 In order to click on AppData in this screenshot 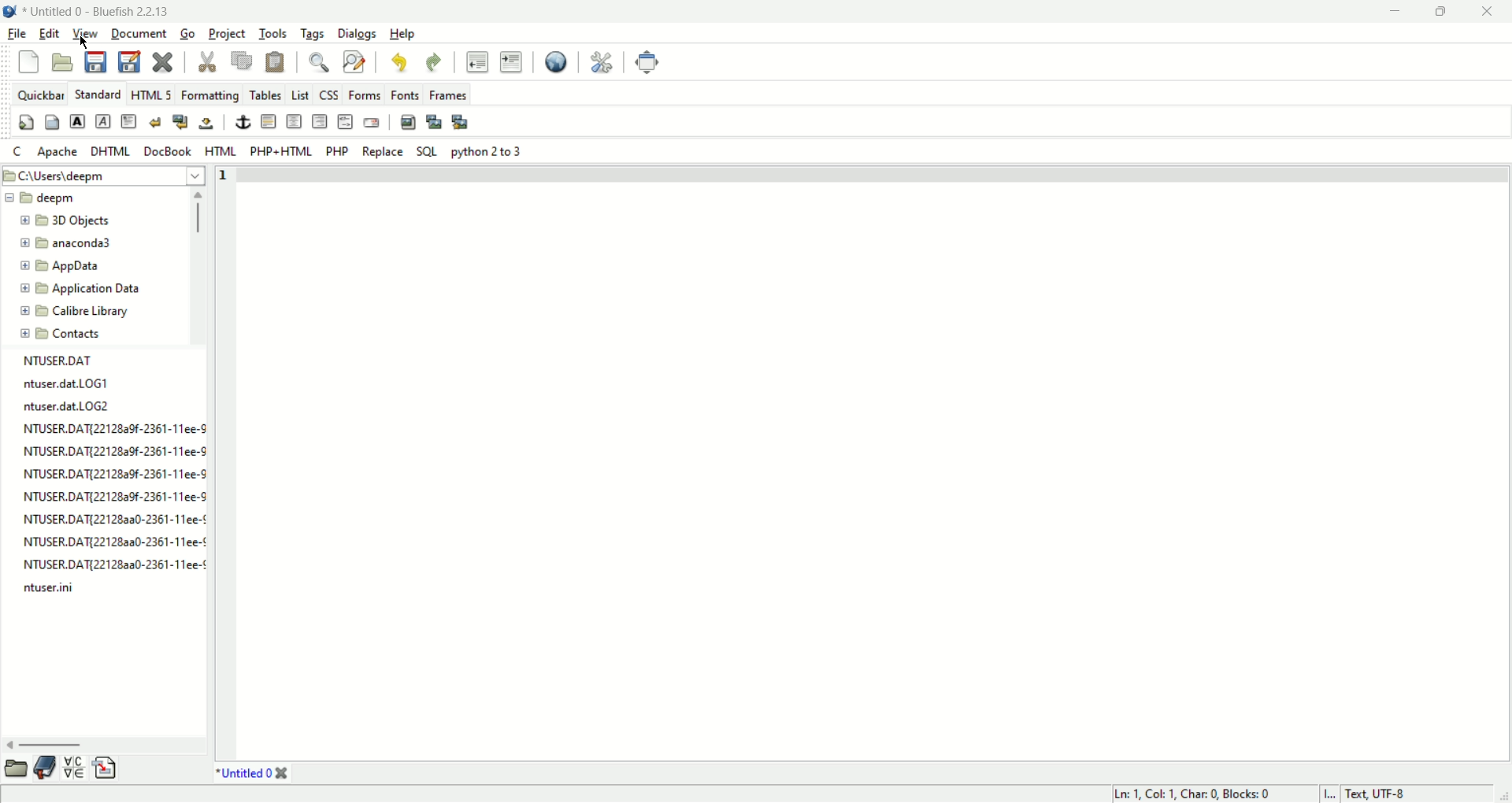, I will do `click(75, 266)`.